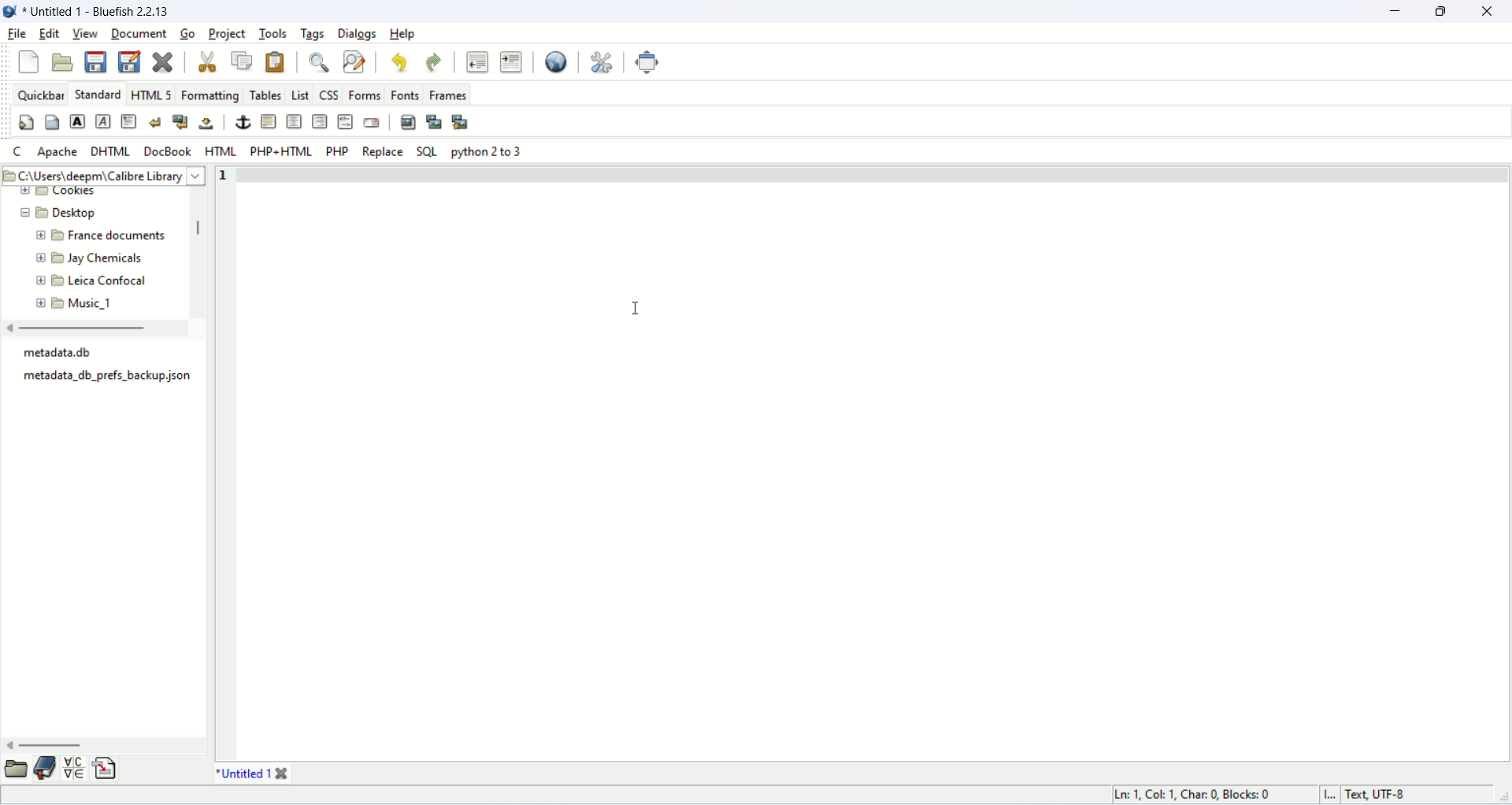 The width and height of the screenshot is (1512, 805). I want to click on strong, so click(78, 121).